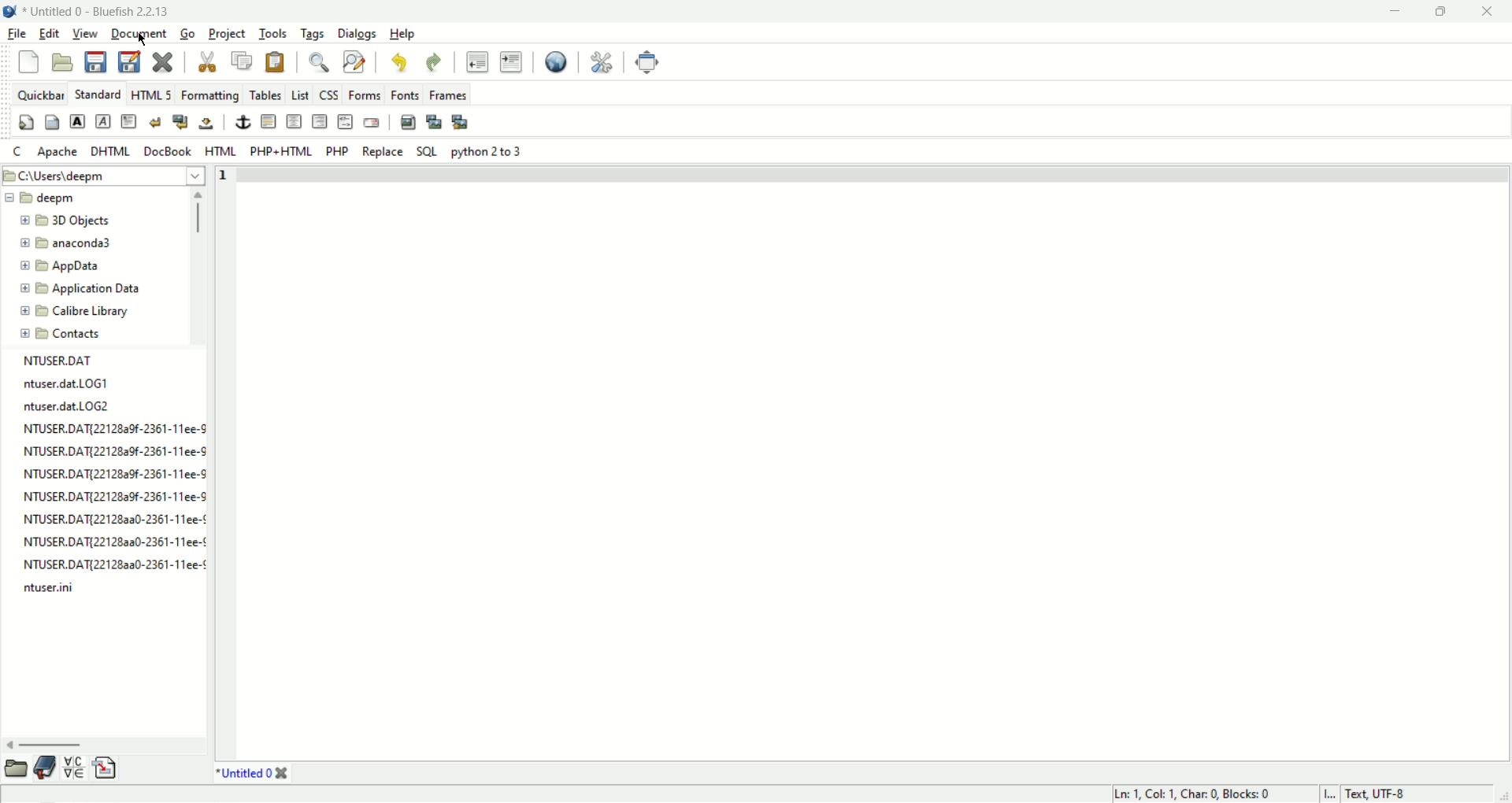  What do you see at coordinates (220, 151) in the screenshot?
I see `HTML` at bounding box center [220, 151].